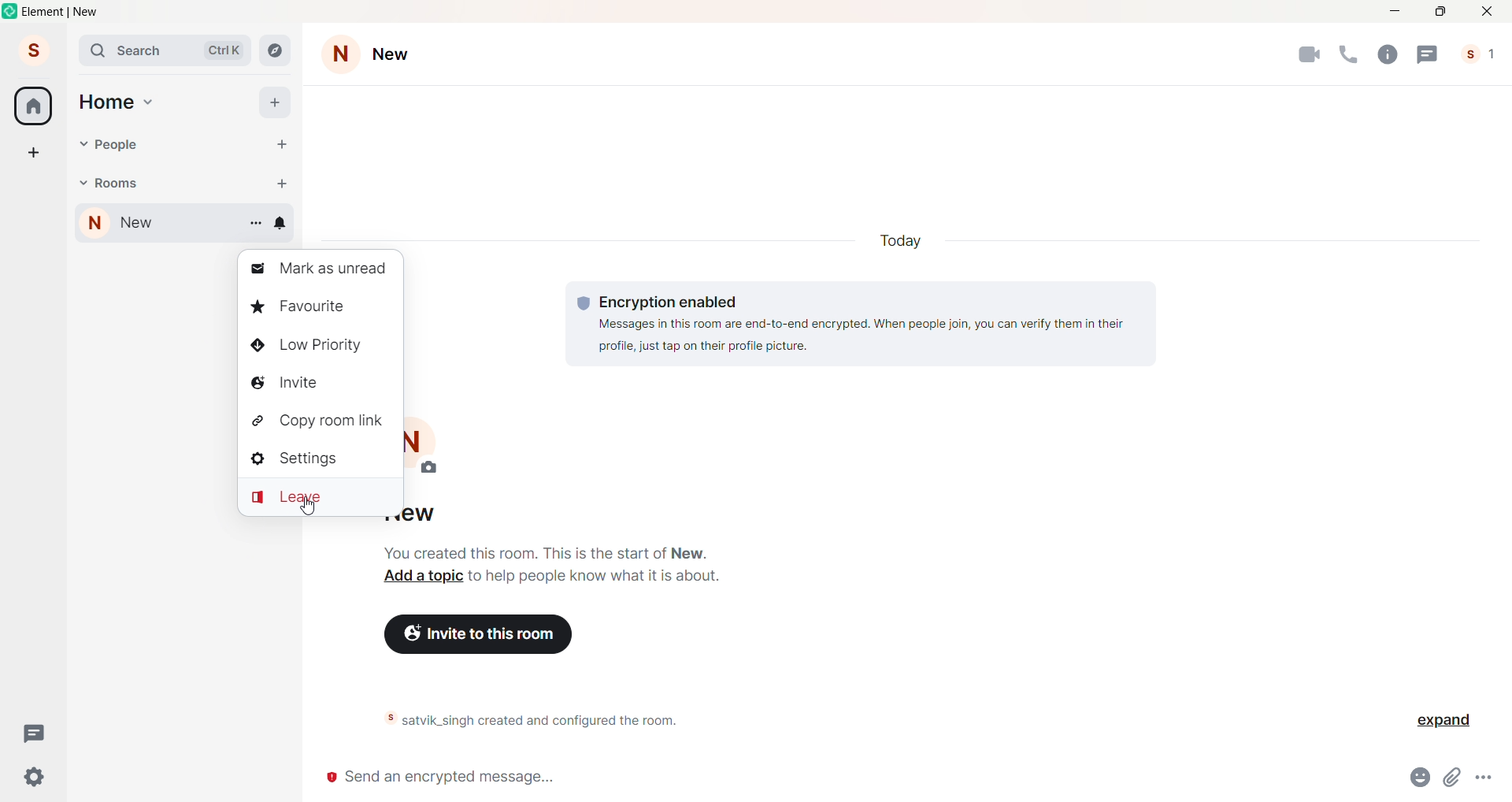 The image size is (1512, 802). What do you see at coordinates (341, 52) in the screenshot?
I see `Room Setting` at bounding box center [341, 52].